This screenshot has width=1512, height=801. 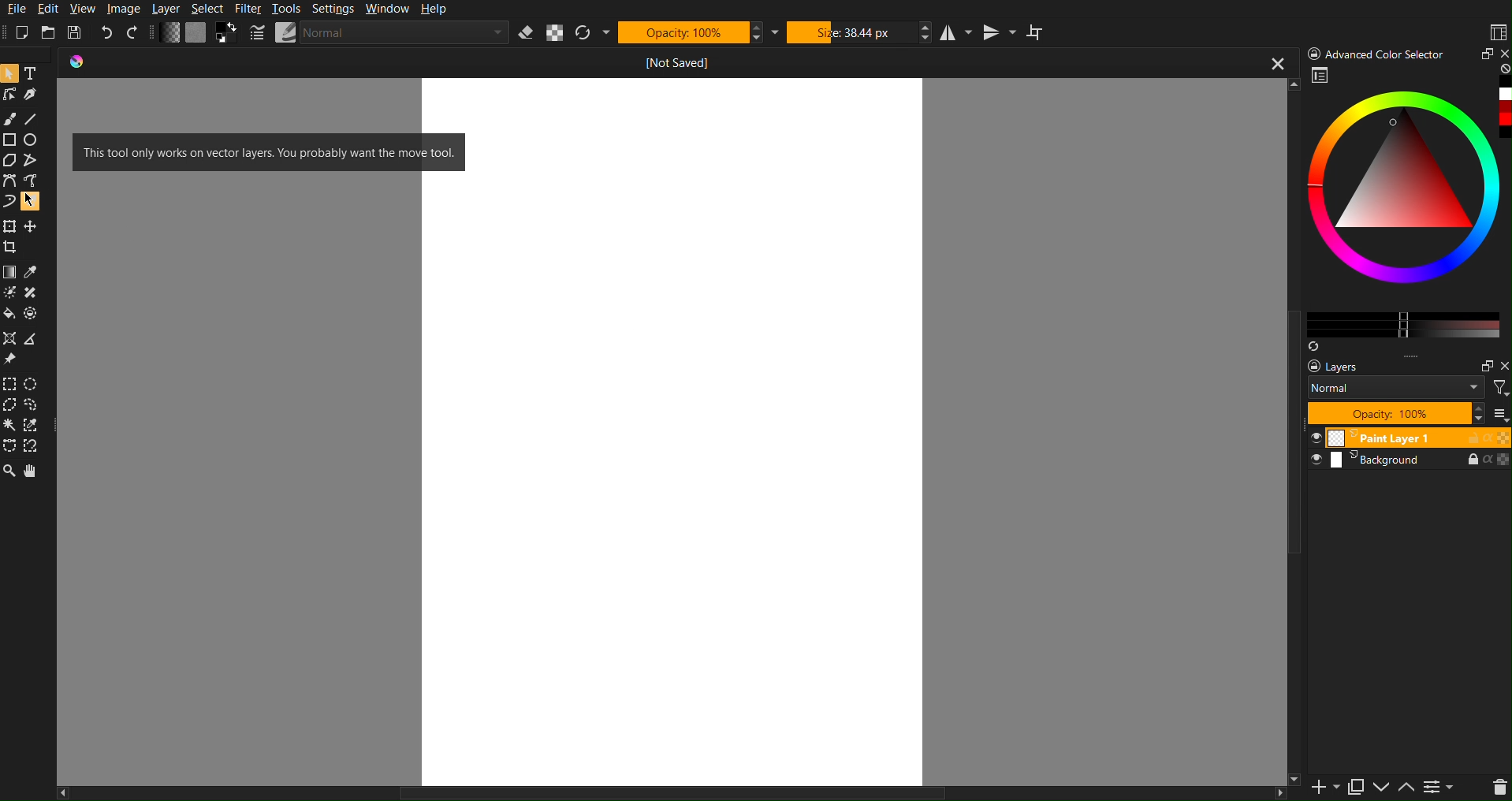 I want to click on Eclipse, so click(x=35, y=140).